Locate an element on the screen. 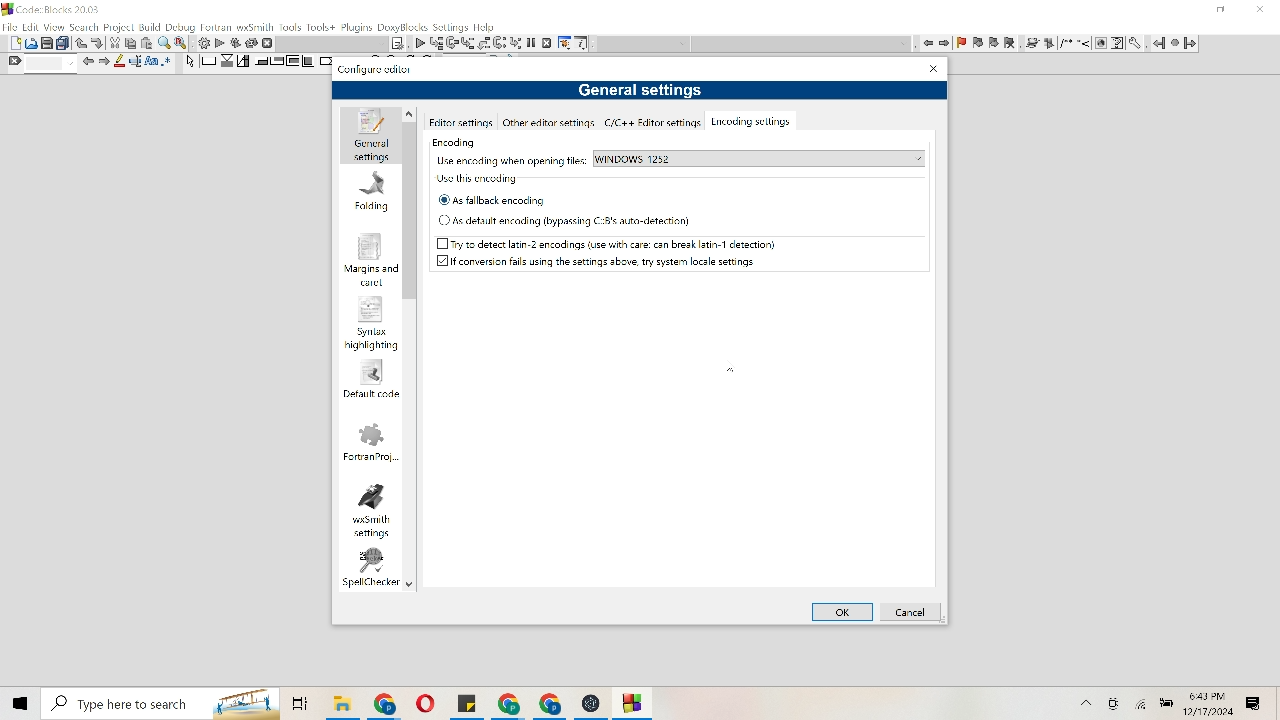 The width and height of the screenshot is (1280, 720). spell checker is located at coordinates (371, 567).